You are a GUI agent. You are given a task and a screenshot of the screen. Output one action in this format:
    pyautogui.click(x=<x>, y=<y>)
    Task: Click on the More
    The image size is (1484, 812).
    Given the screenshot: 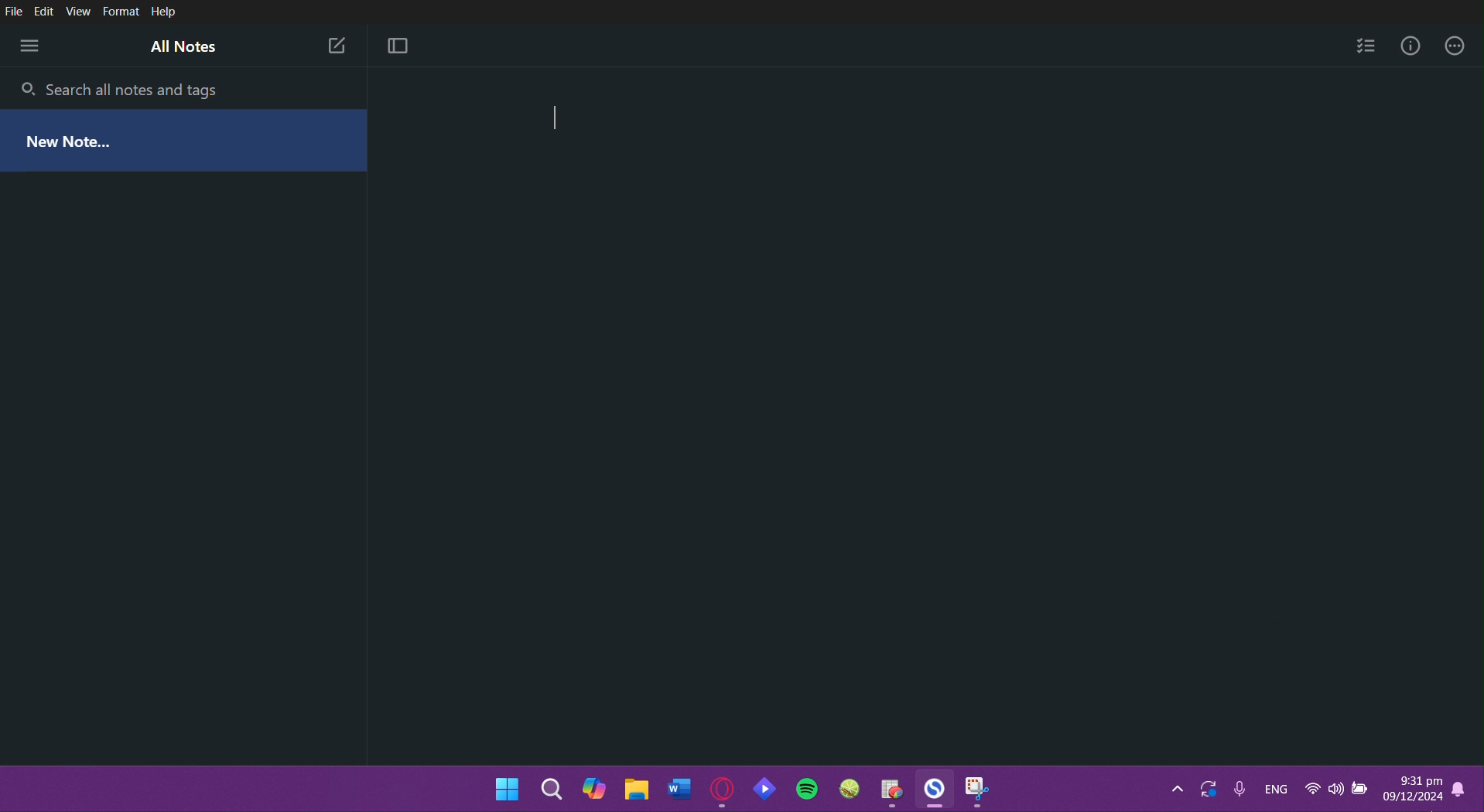 What is the action you would take?
    pyautogui.click(x=29, y=45)
    